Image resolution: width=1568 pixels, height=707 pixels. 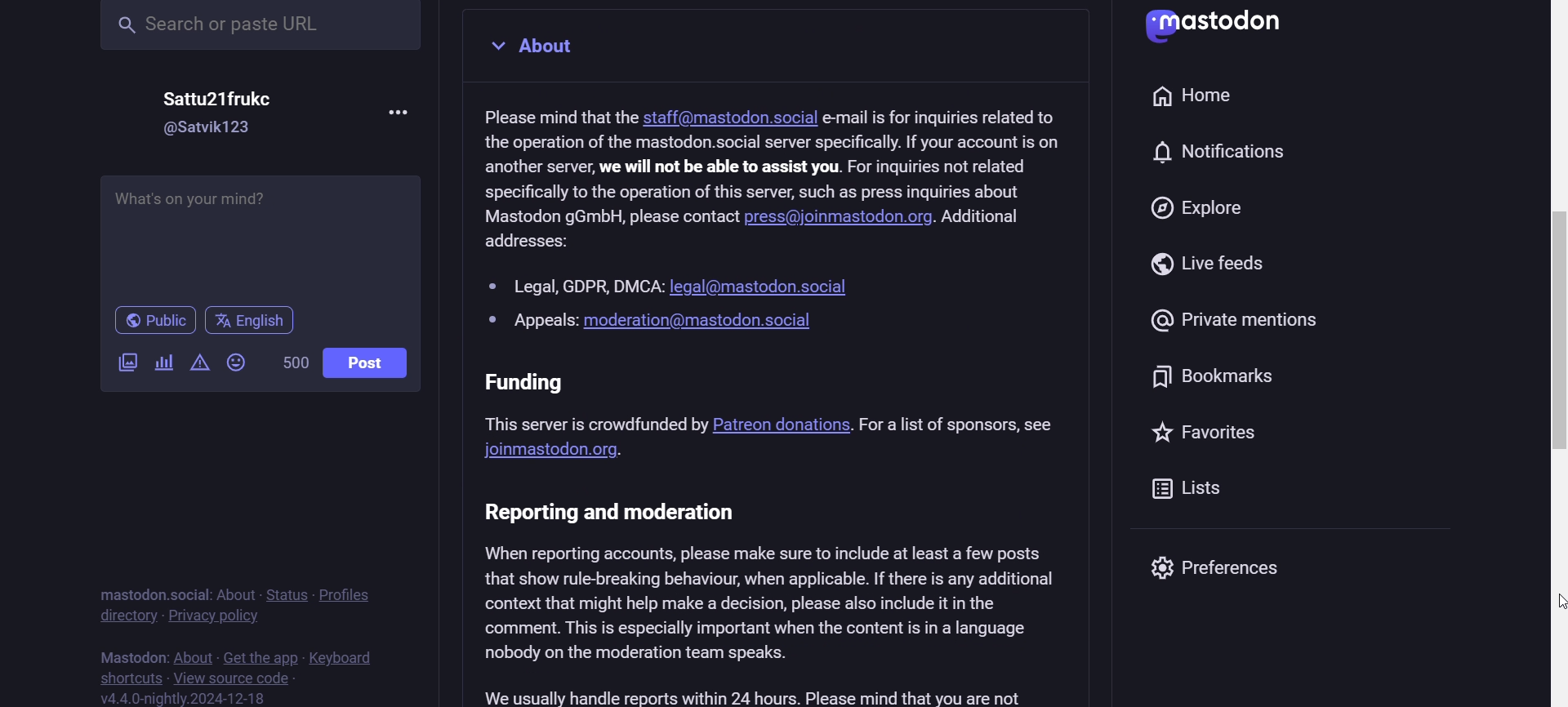 I want to click on joinmastodon.org, so click(x=555, y=451).